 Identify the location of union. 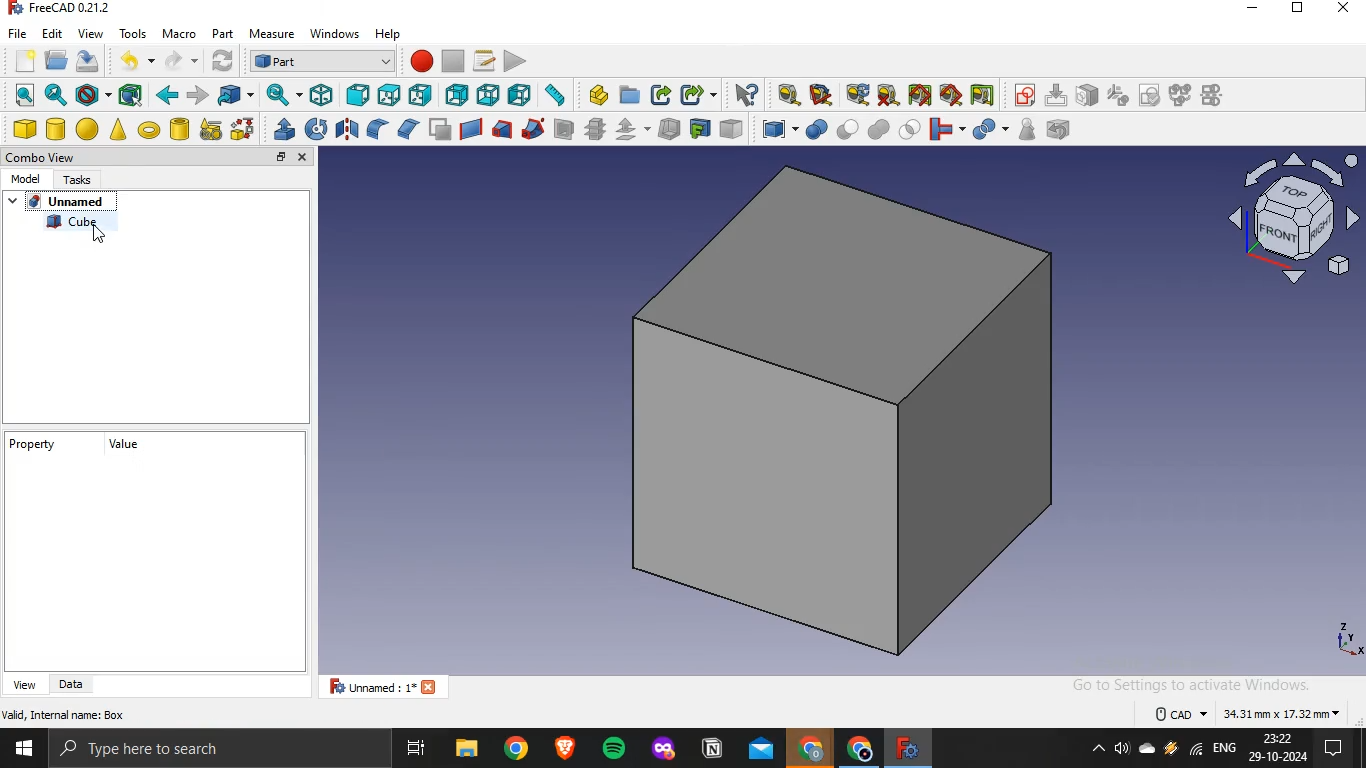
(879, 129).